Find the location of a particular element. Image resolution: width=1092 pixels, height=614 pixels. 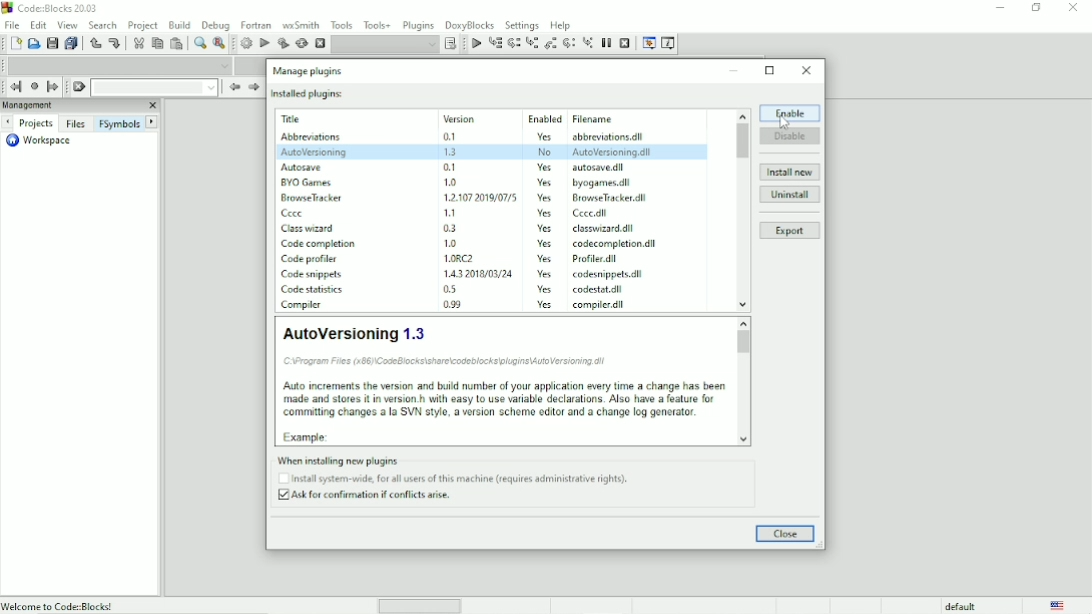

Next is located at coordinates (253, 88).